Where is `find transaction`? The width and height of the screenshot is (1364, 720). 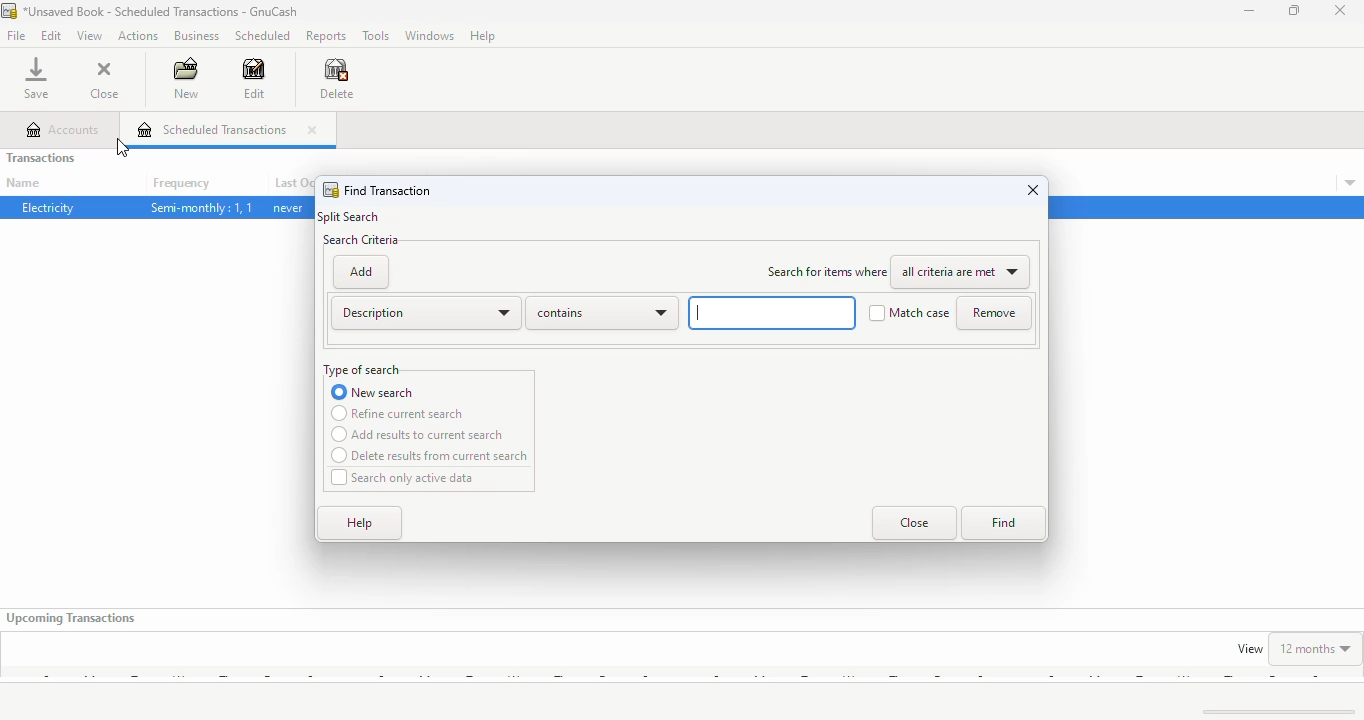
find transaction is located at coordinates (388, 191).